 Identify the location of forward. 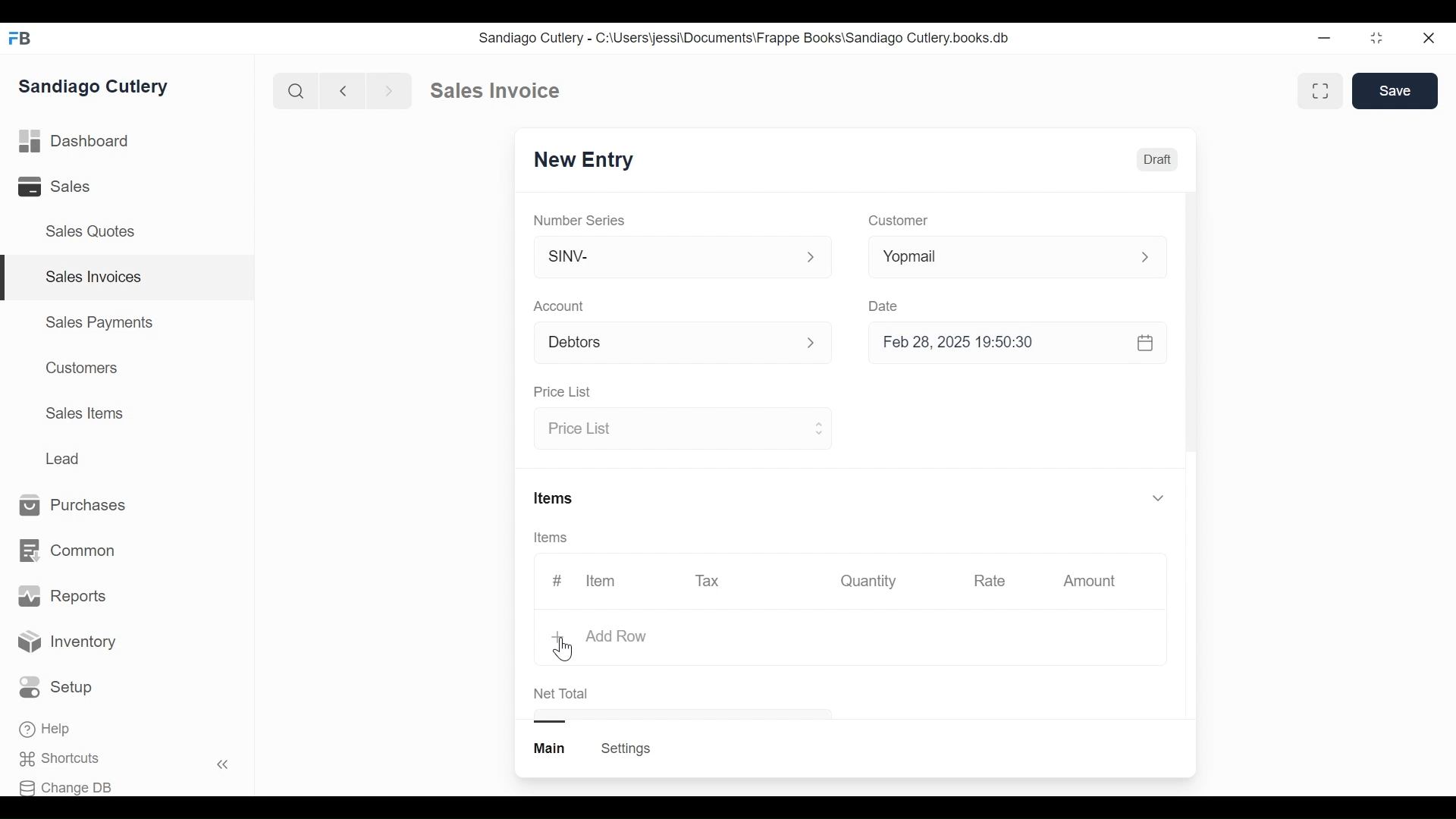
(390, 89).